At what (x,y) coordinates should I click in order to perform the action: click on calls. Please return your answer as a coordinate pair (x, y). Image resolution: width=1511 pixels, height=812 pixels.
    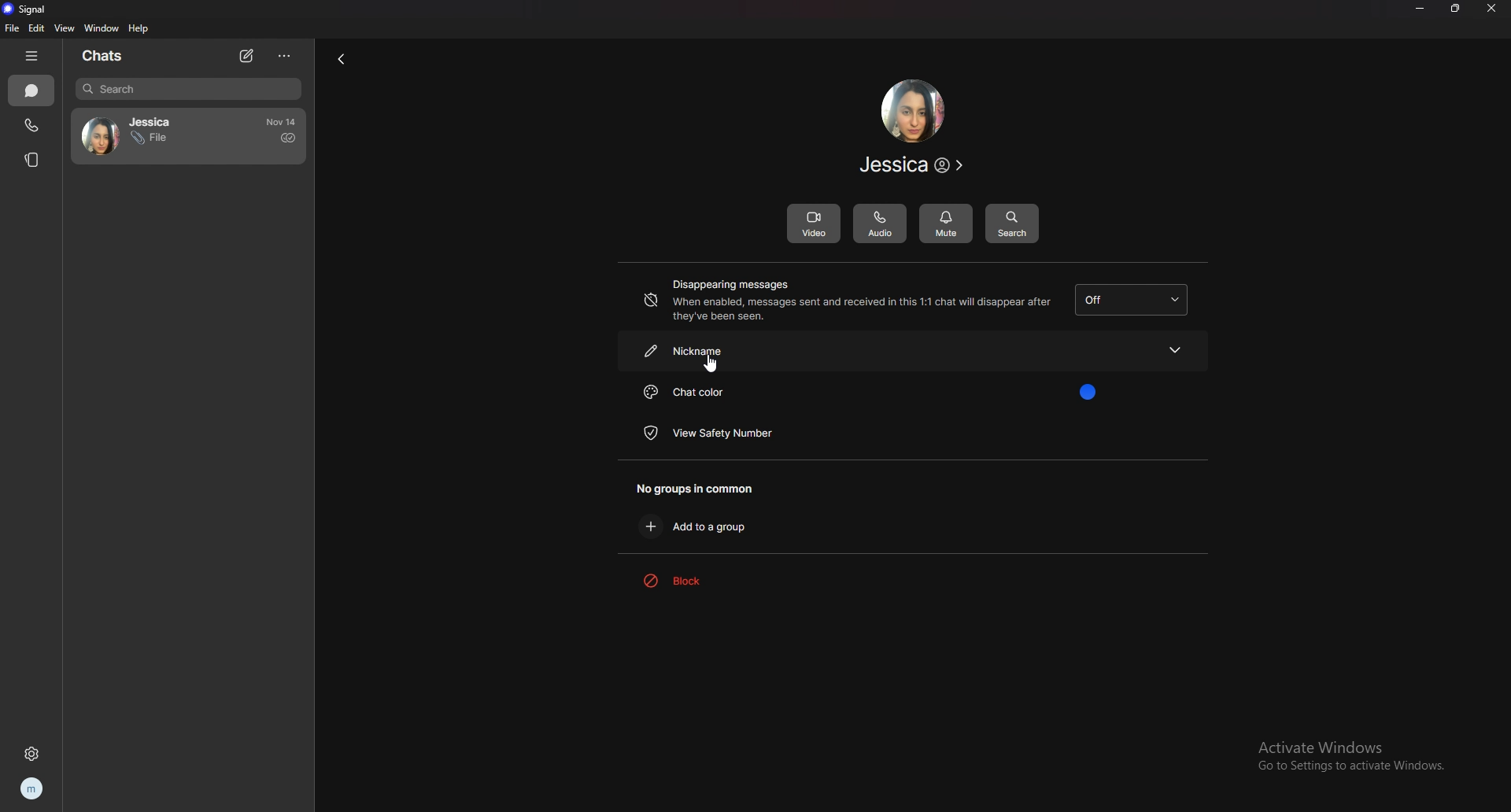
    Looking at the image, I should click on (34, 123).